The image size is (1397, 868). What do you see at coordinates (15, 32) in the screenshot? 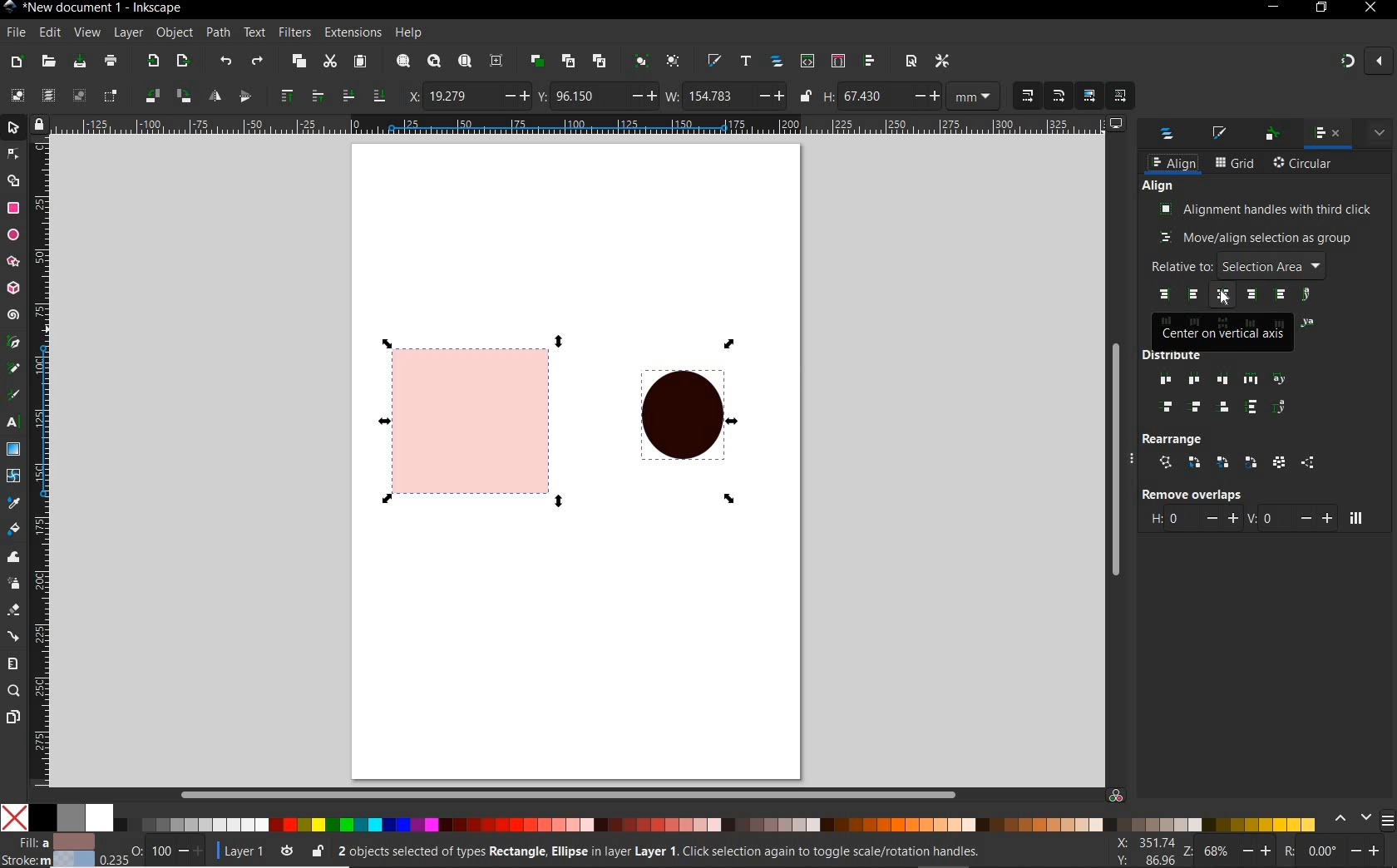
I see `file` at bounding box center [15, 32].